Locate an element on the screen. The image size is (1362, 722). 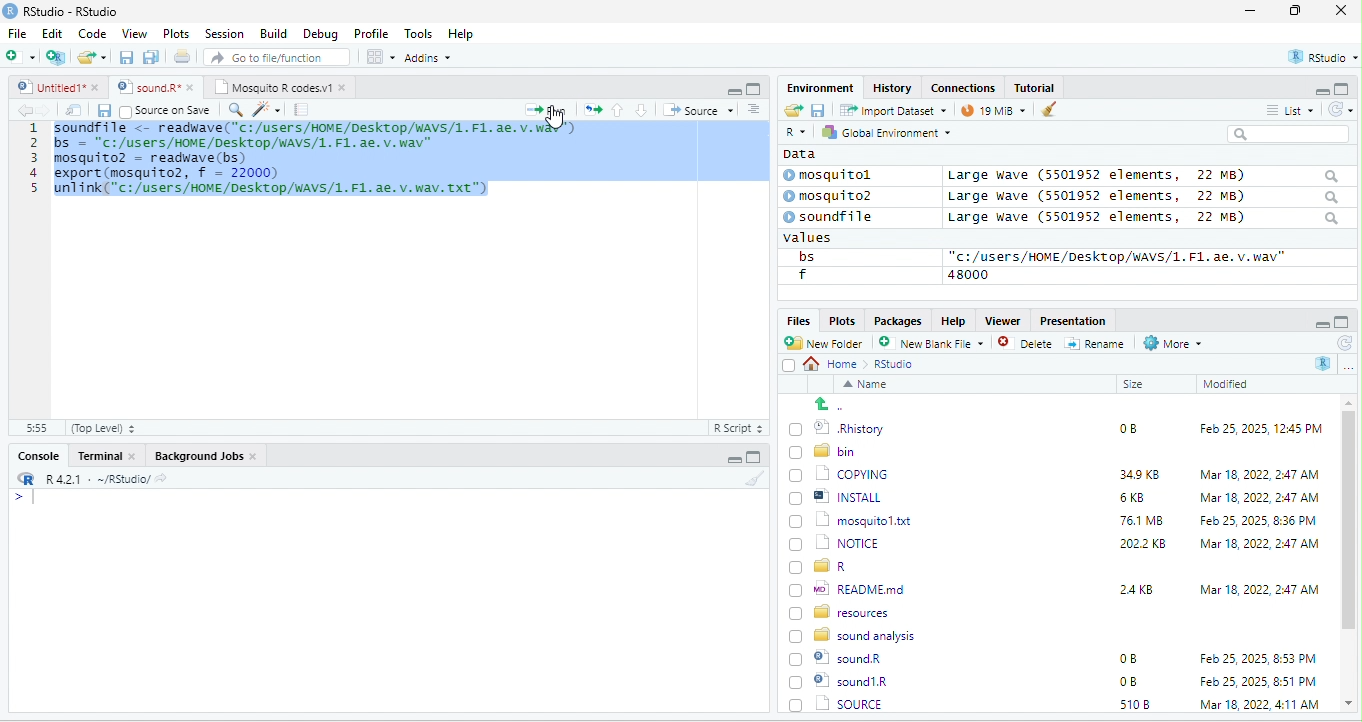
cursor is located at coordinates (556, 123).